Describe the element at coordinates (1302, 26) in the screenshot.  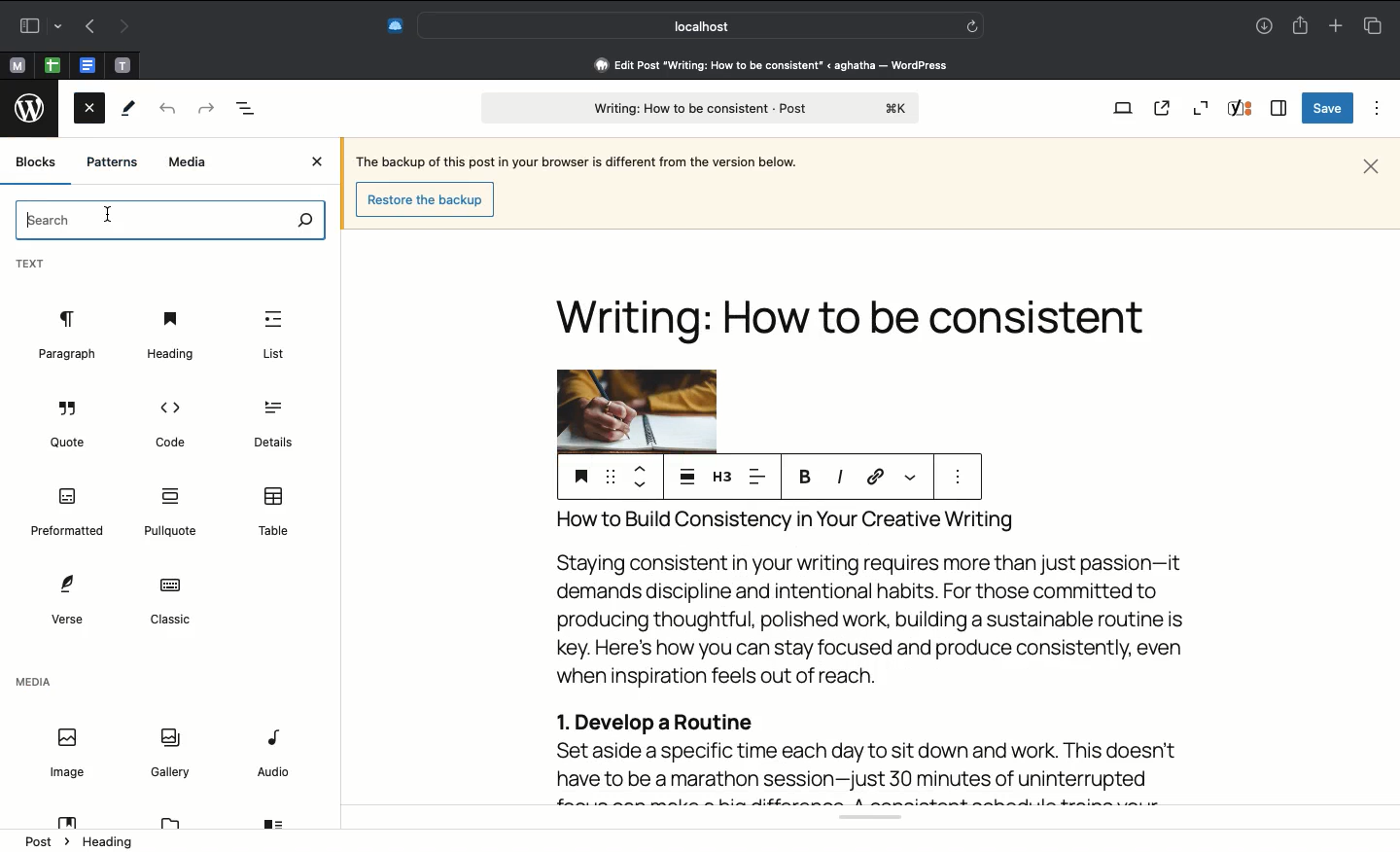
I see `Share` at that location.